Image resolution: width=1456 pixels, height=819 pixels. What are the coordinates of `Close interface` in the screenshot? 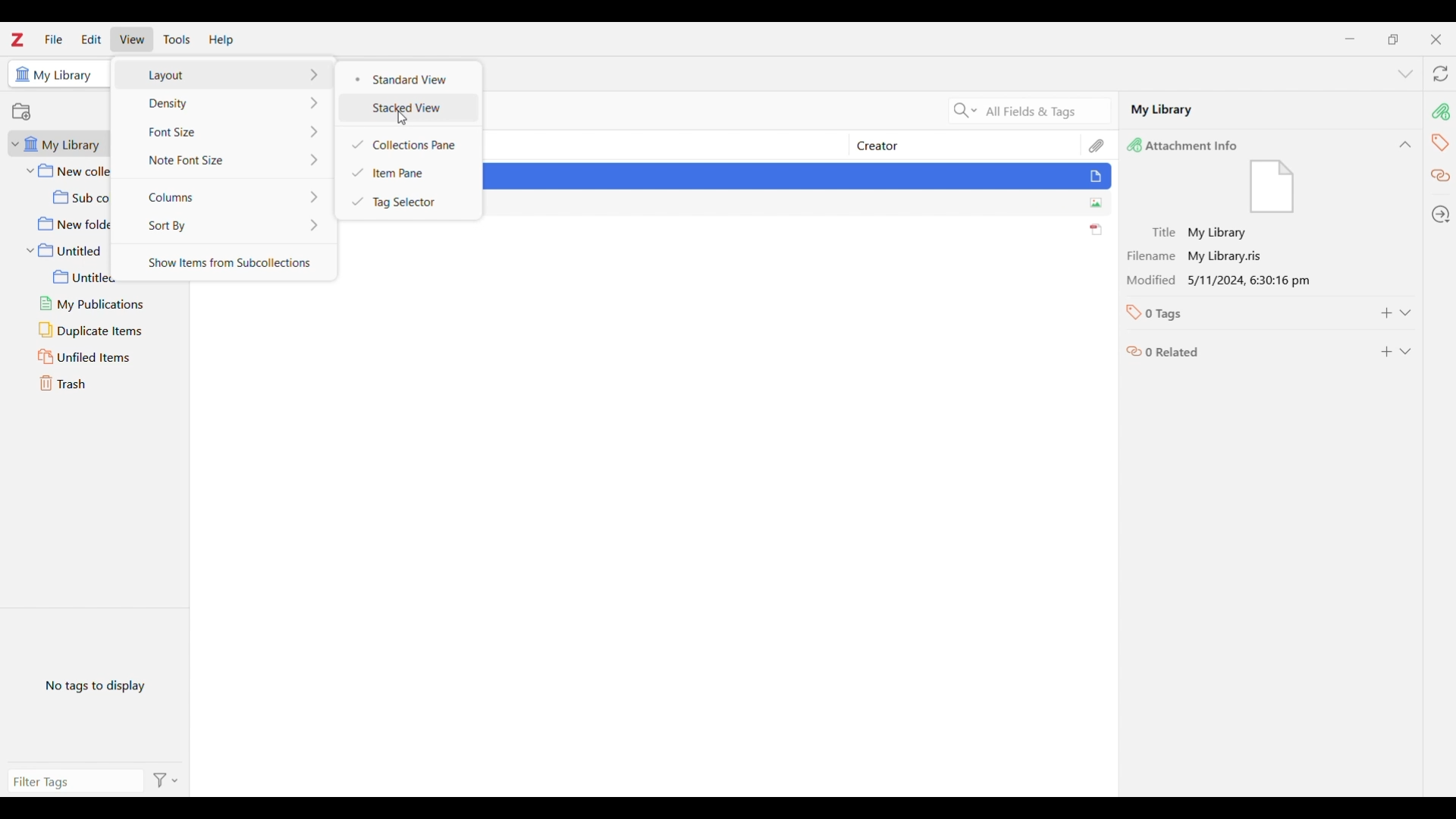 It's located at (1436, 39).